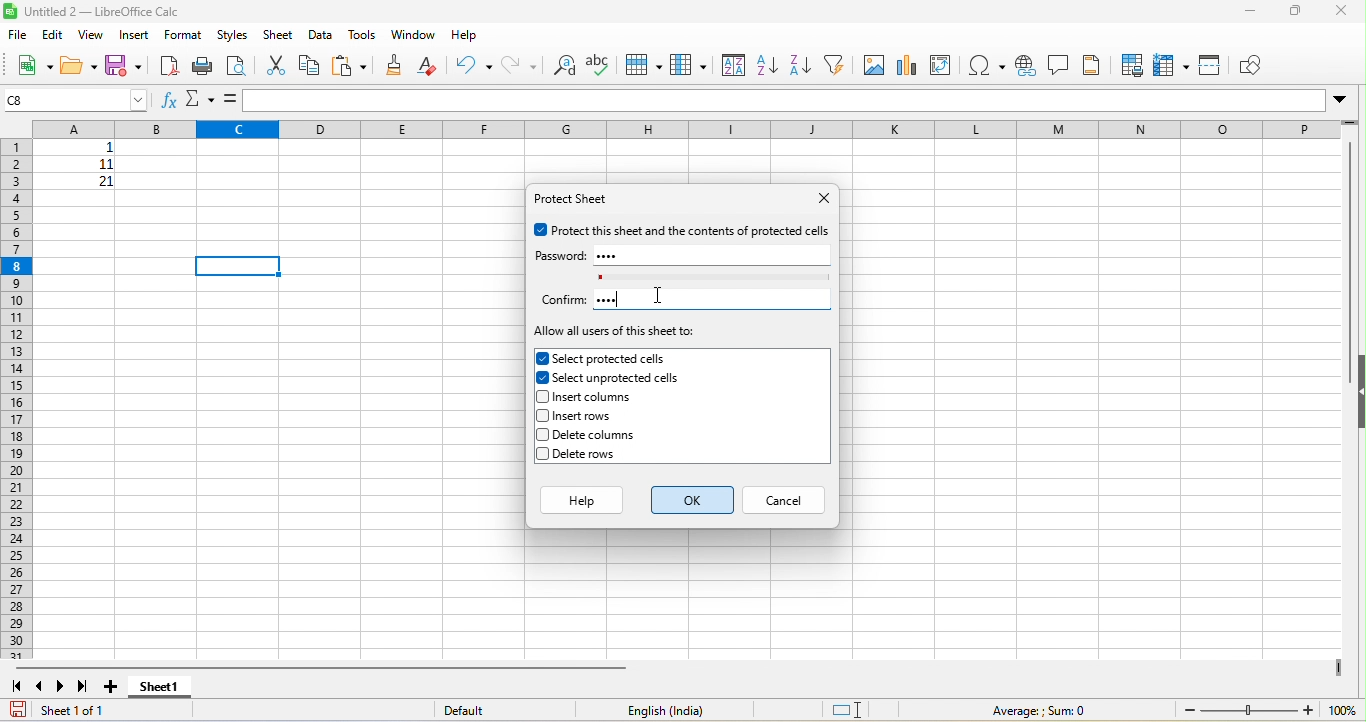  Describe the element at coordinates (617, 333) in the screenshot. I see `allow all users of this sheet to` at that location.